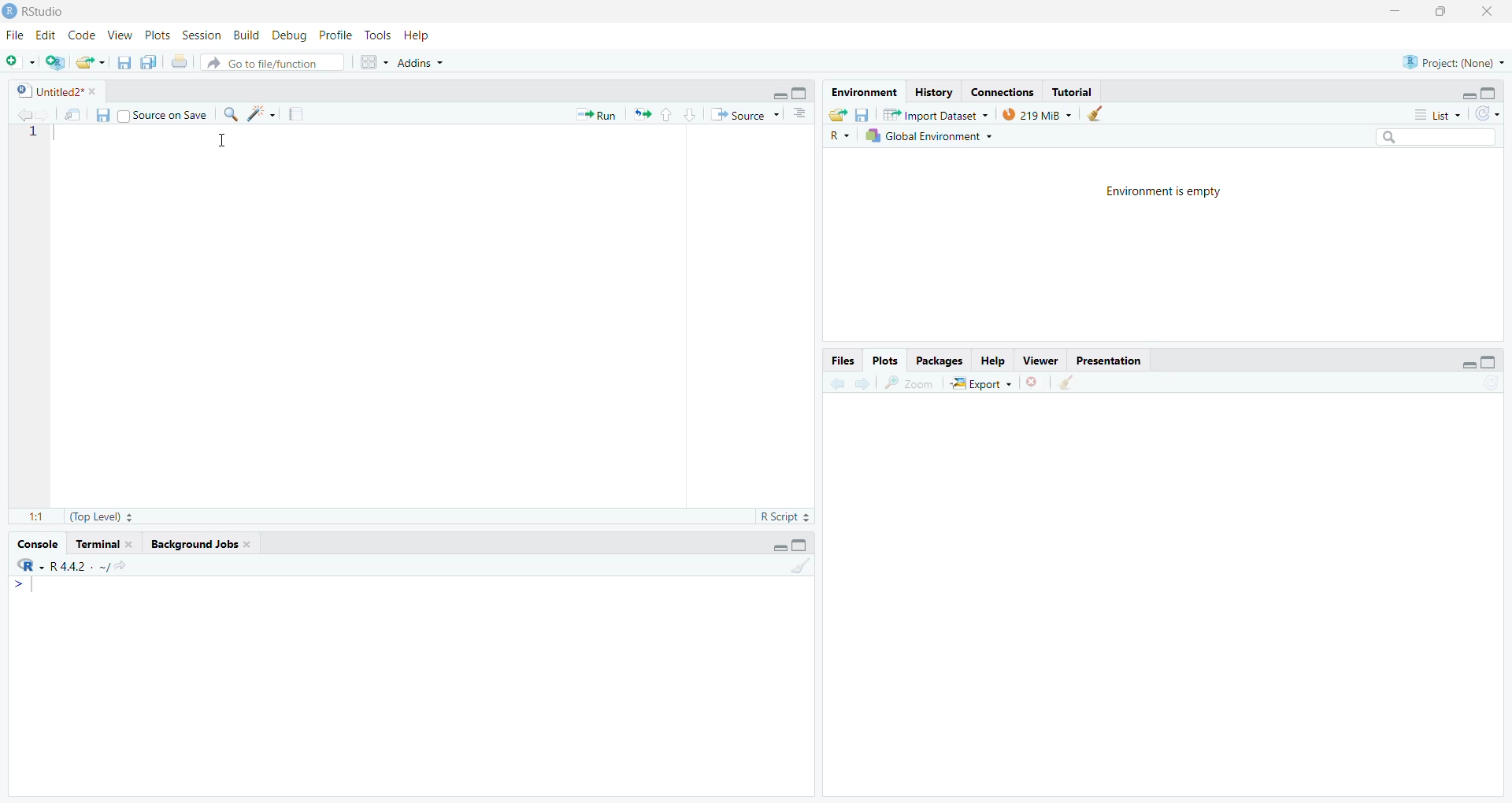 This screenshot has height=803, width=1512. I want to click on Find and Replace, so click(231, 114).